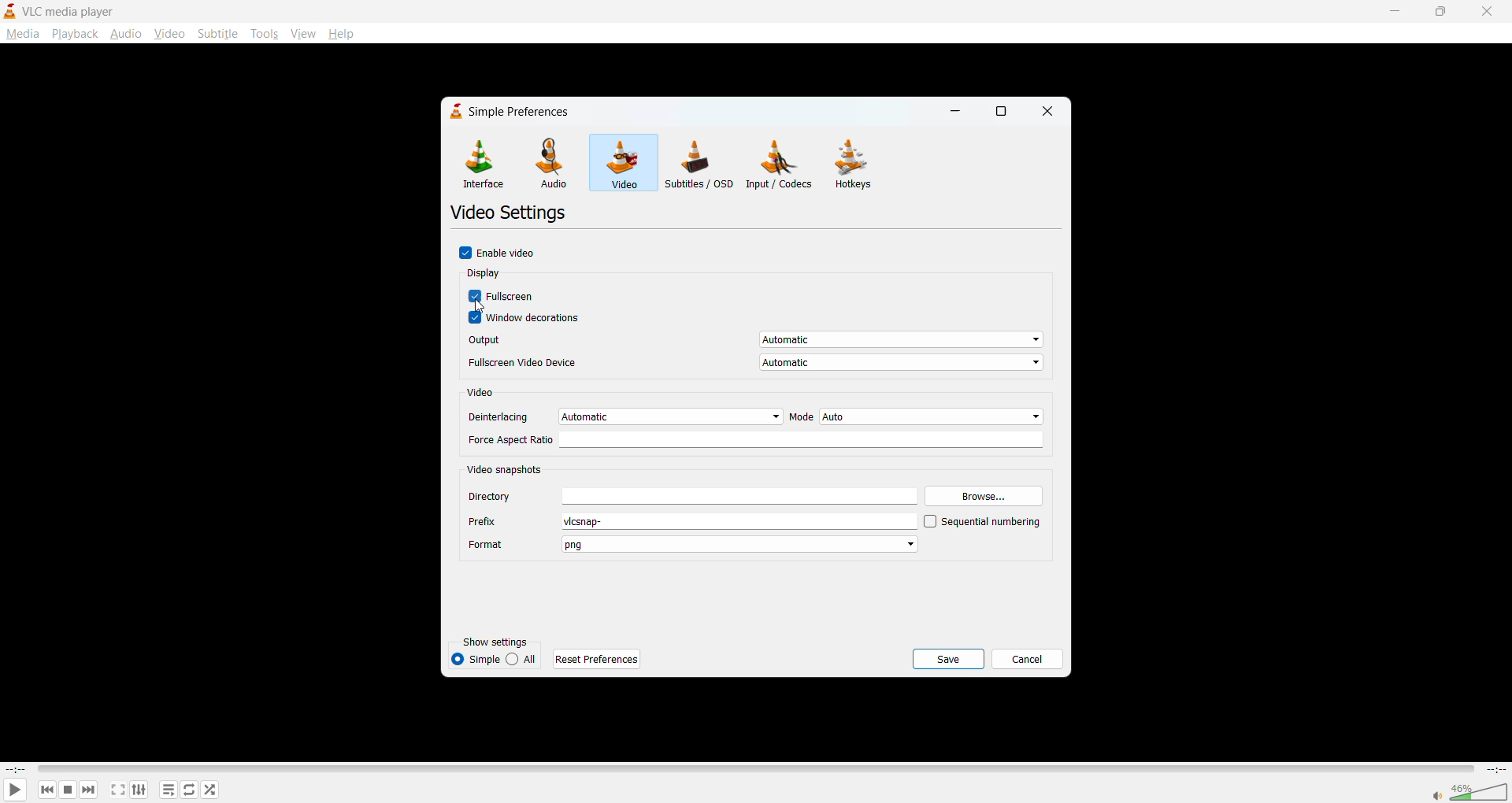 The height and width of the screenshot is (803, 1512). Describe the element at coordinates (915, 416) in the screenshot. I see `mode` at that location.